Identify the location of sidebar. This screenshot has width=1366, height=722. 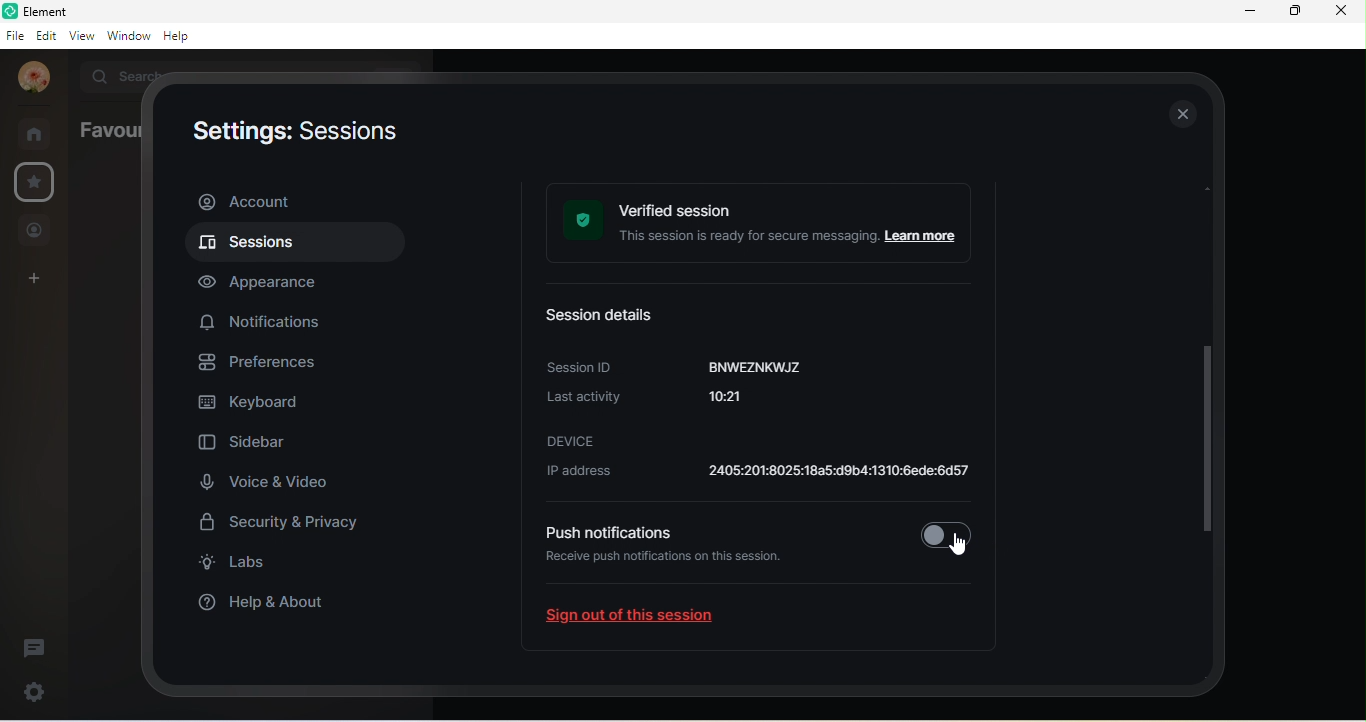
(248, 445).